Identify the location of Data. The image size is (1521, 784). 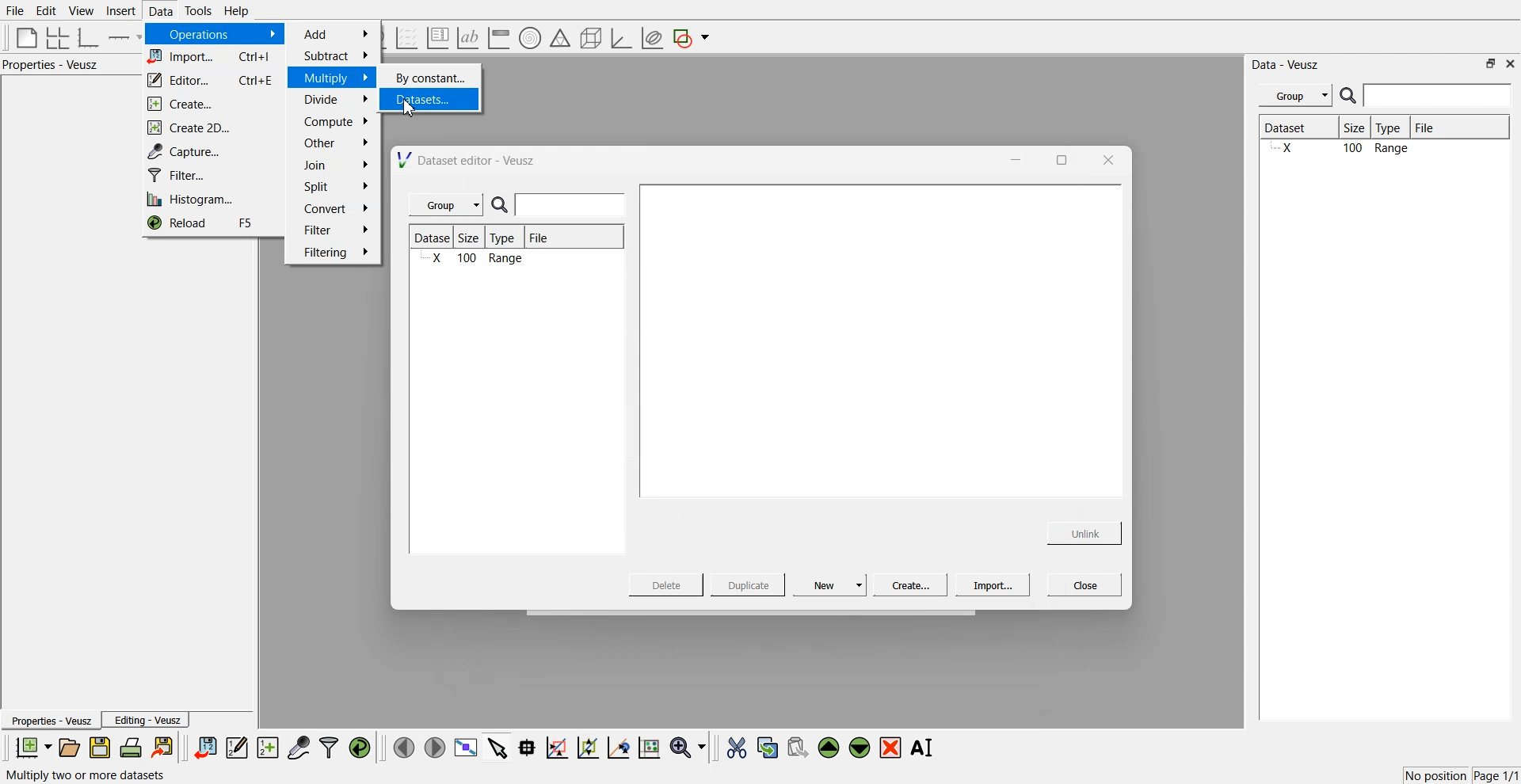
(159, 11).